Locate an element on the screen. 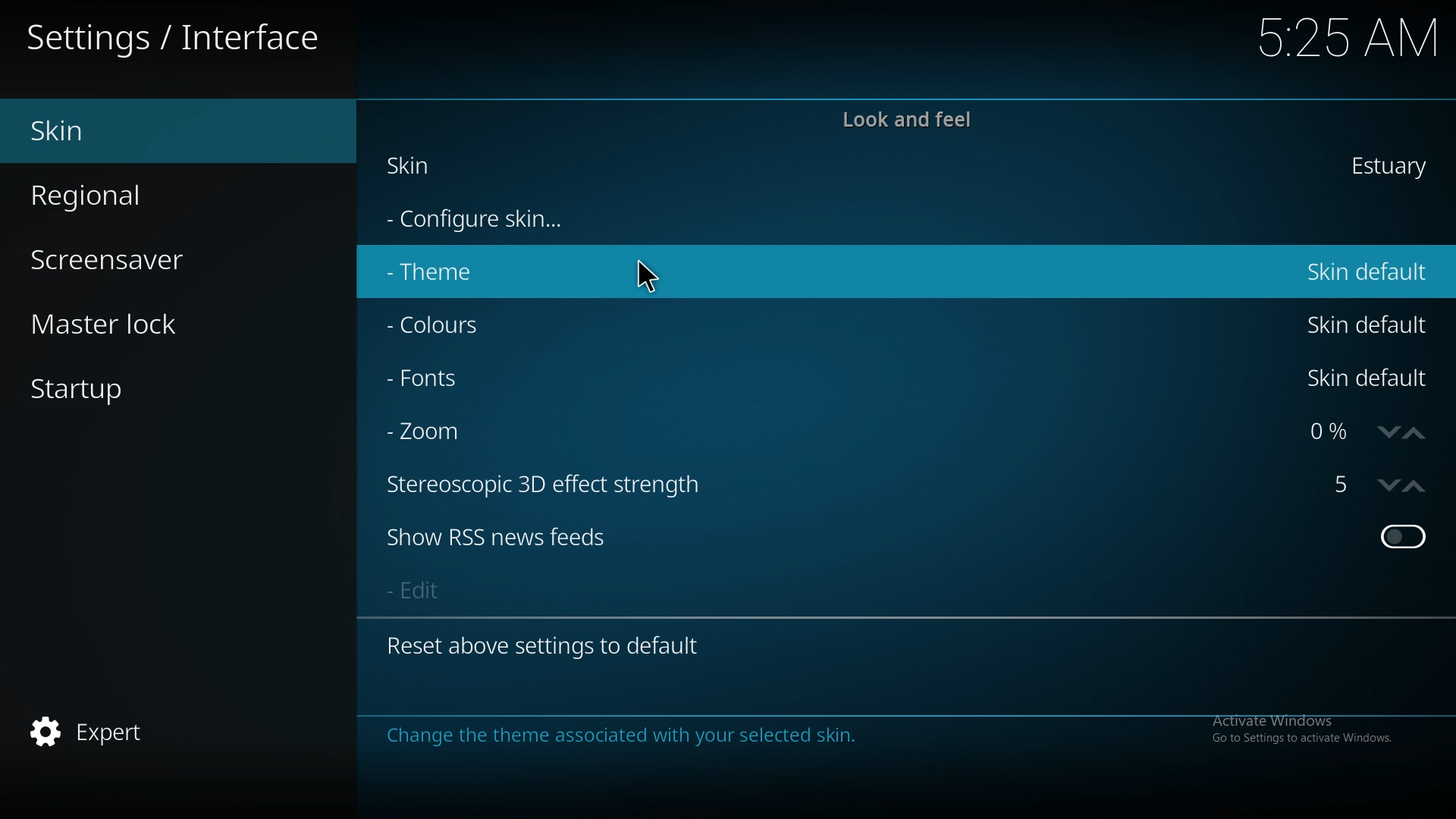 The image size is (1456, 819). look and feel is located at coordinates (911, 119).